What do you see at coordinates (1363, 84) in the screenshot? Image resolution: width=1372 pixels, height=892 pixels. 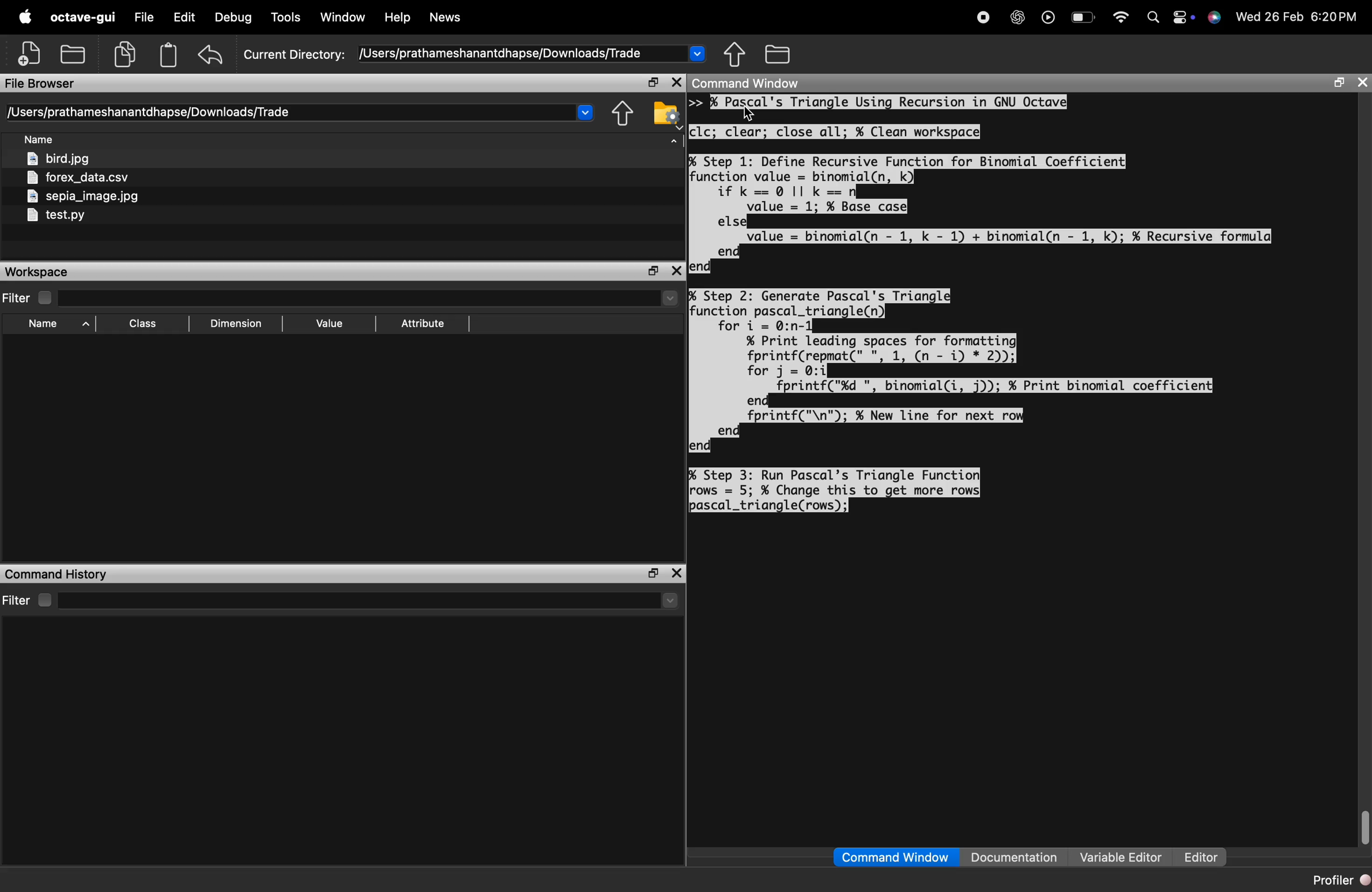 I see `close` at bounding box center [1363, 84].